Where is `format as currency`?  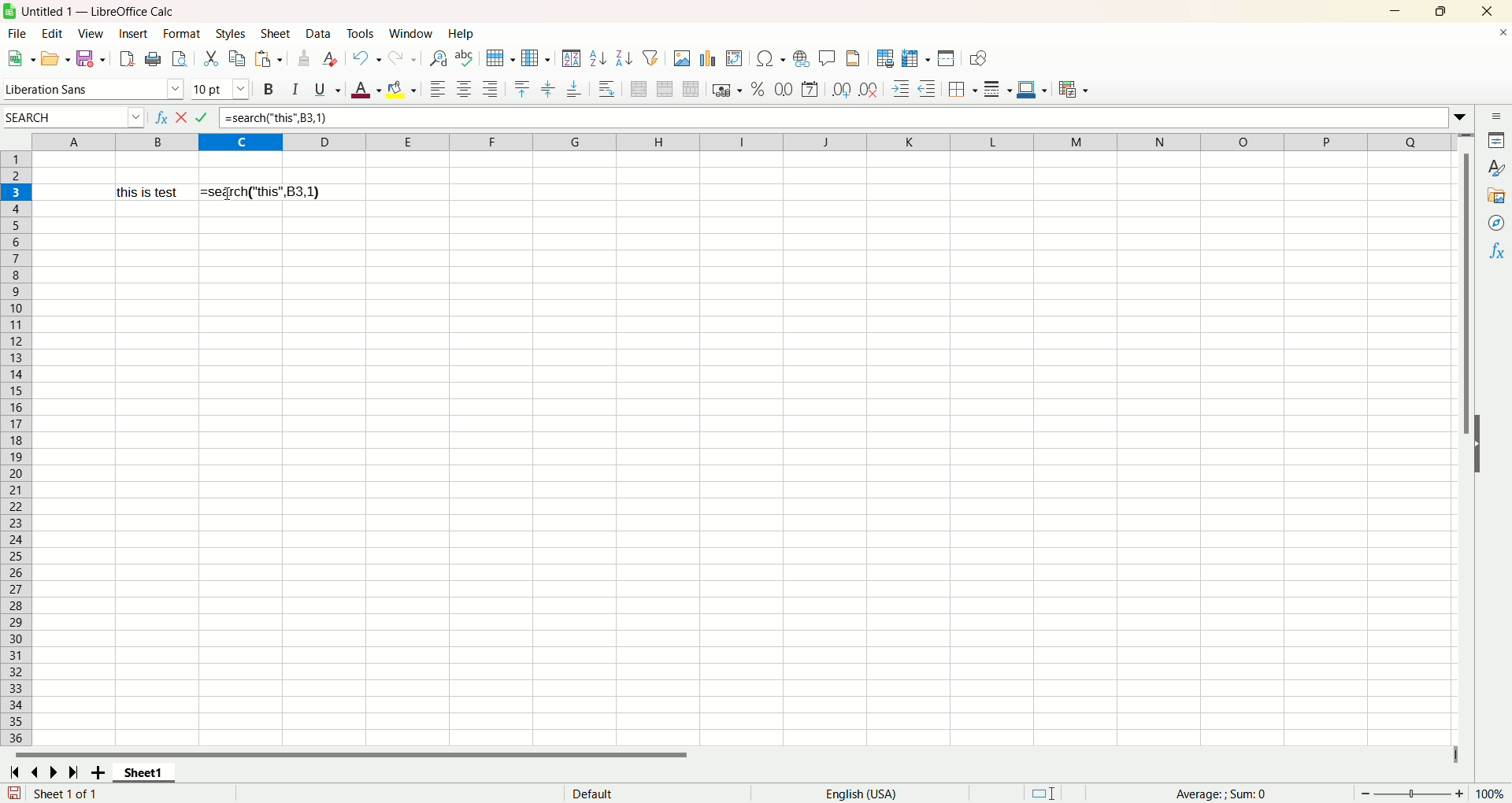 format as currency is located at coordinates (727, 88).